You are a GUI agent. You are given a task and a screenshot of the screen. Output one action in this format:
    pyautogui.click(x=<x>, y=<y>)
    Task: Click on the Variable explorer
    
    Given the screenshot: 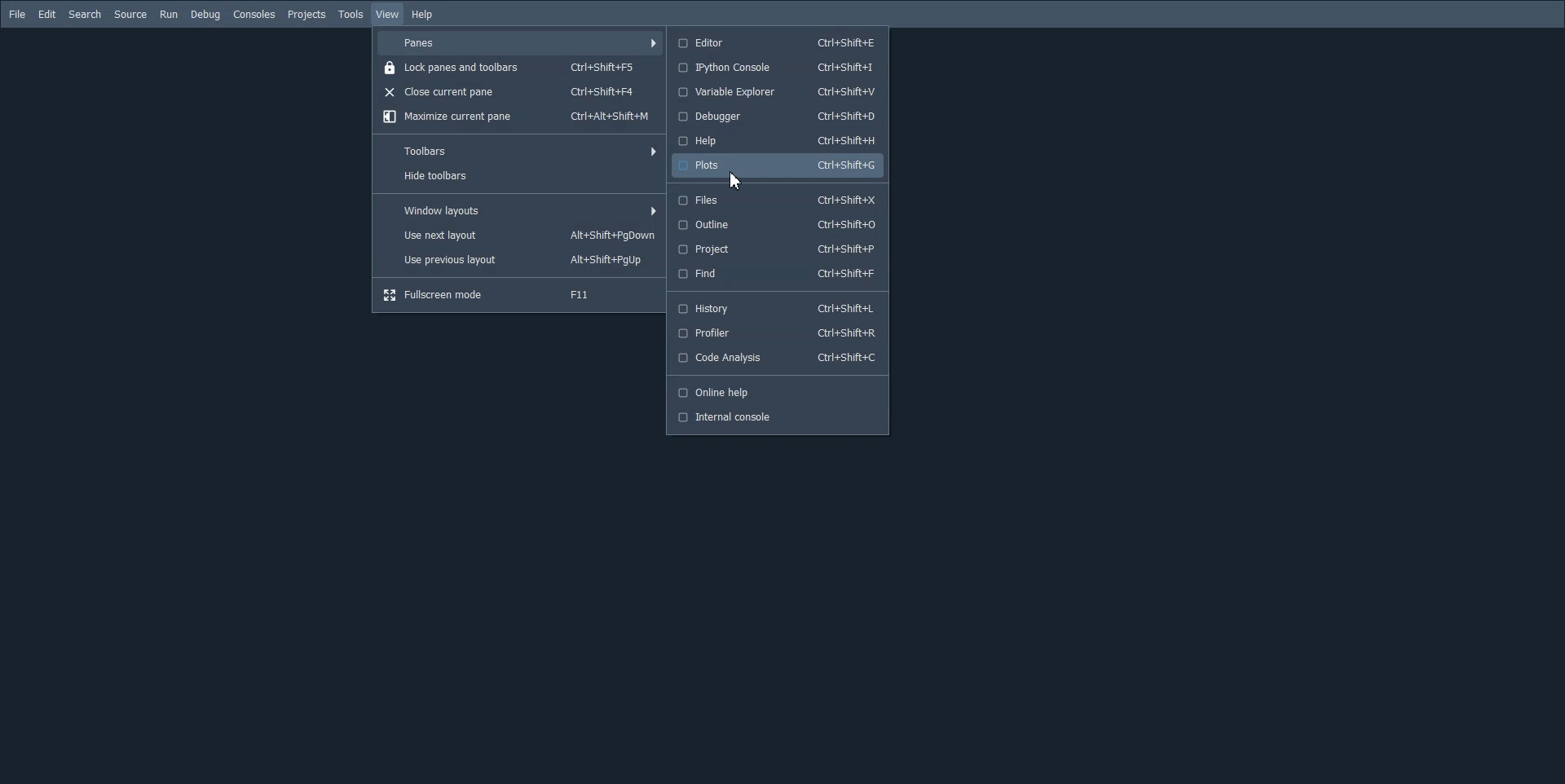 What is the action you would take?
    pyautogui.click(x=778, y=91)
    